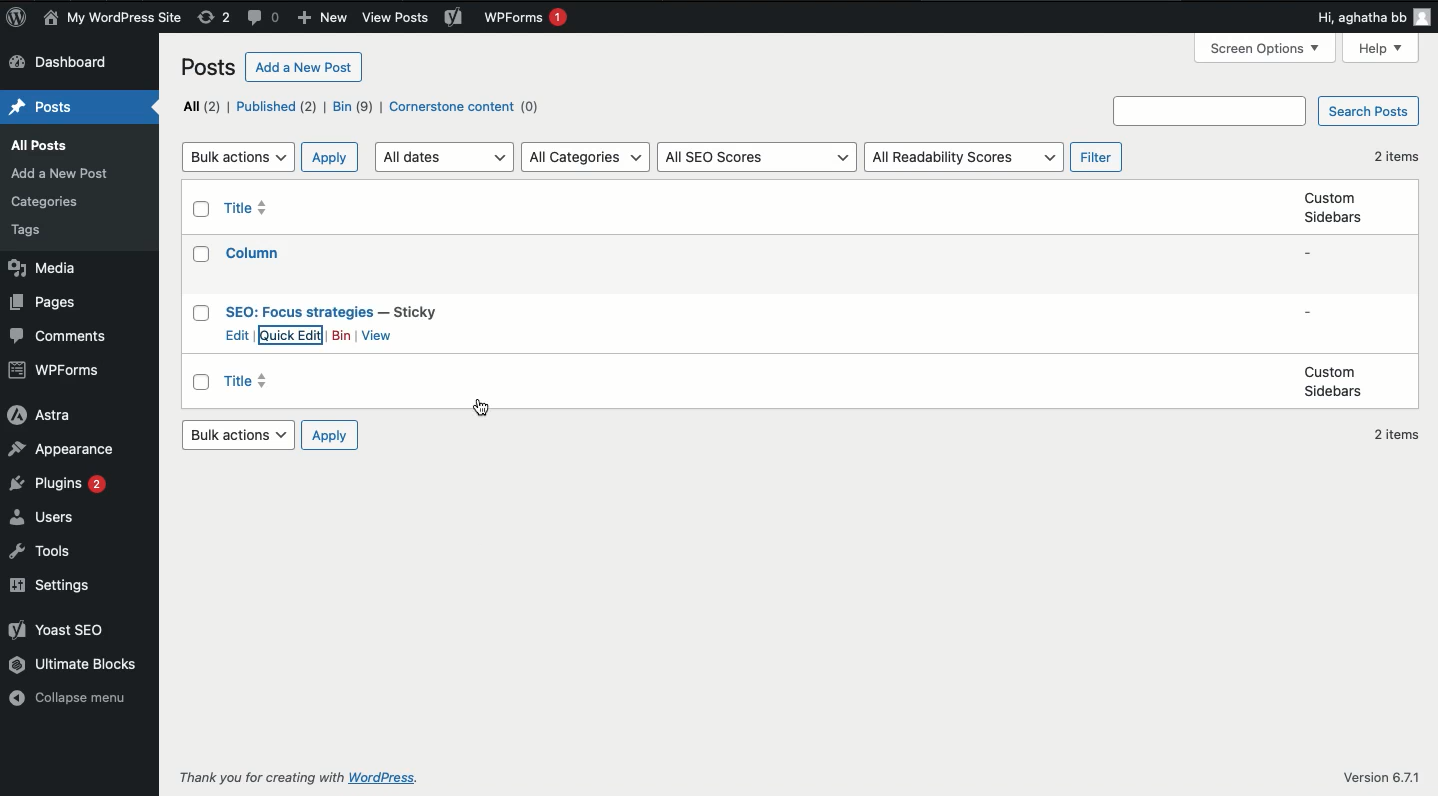 The image size is (1438, 796). I want to click on Published, so click(276, 106).